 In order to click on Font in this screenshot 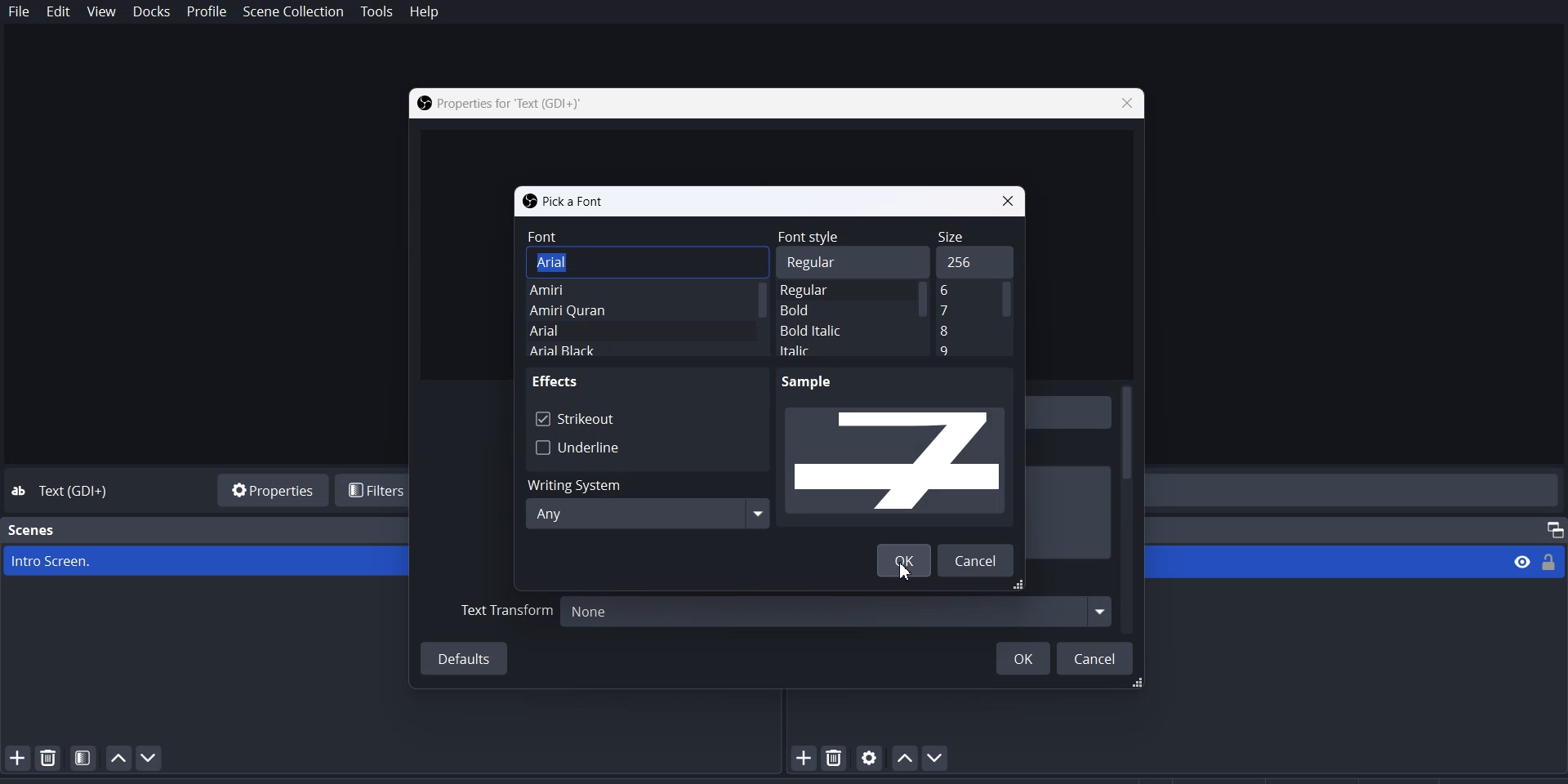, I will do `click(645, 236)`.